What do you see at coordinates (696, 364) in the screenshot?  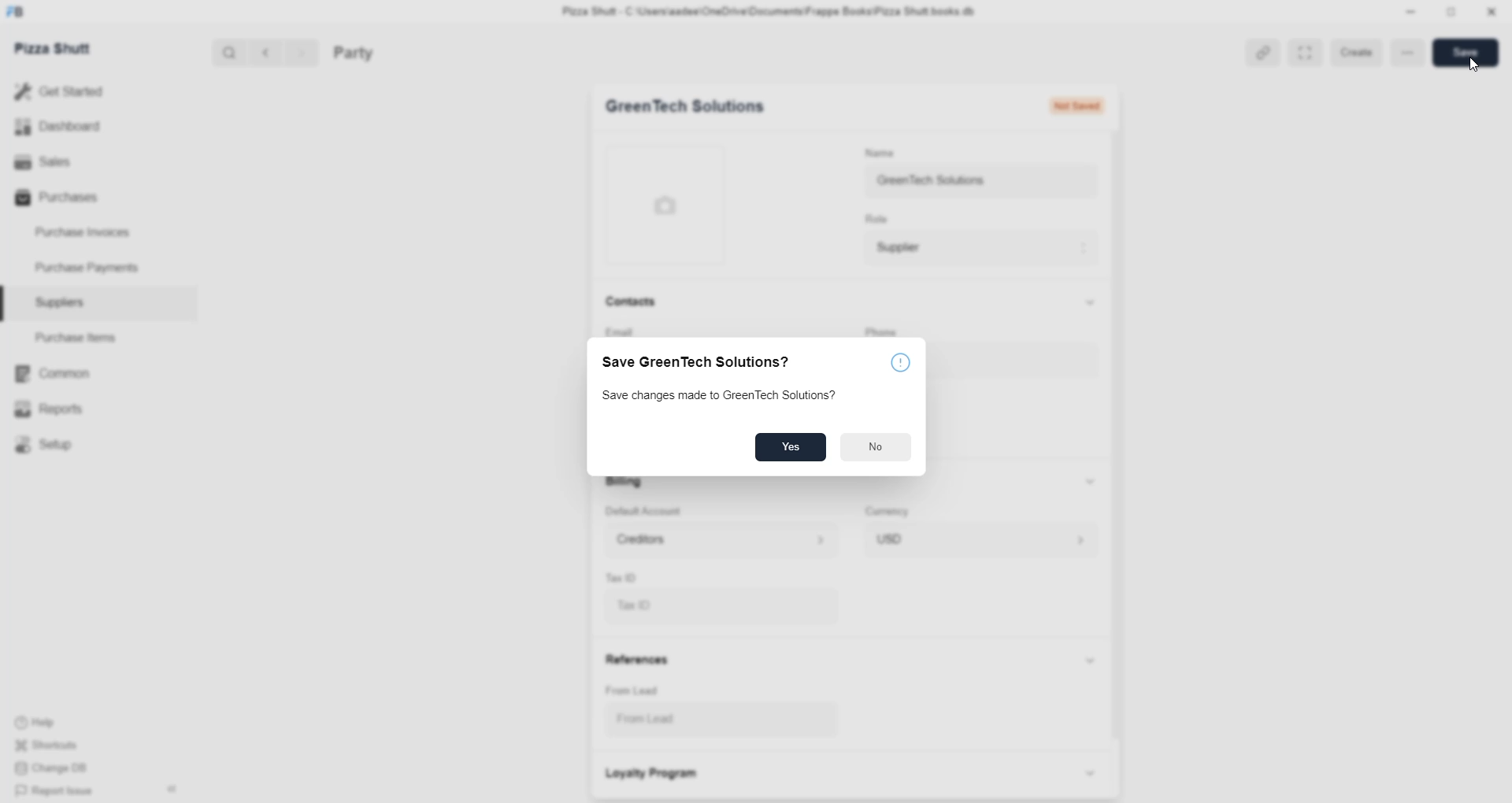 I see `Save GreenTech Solutions?` at bounding box center [696, 364].